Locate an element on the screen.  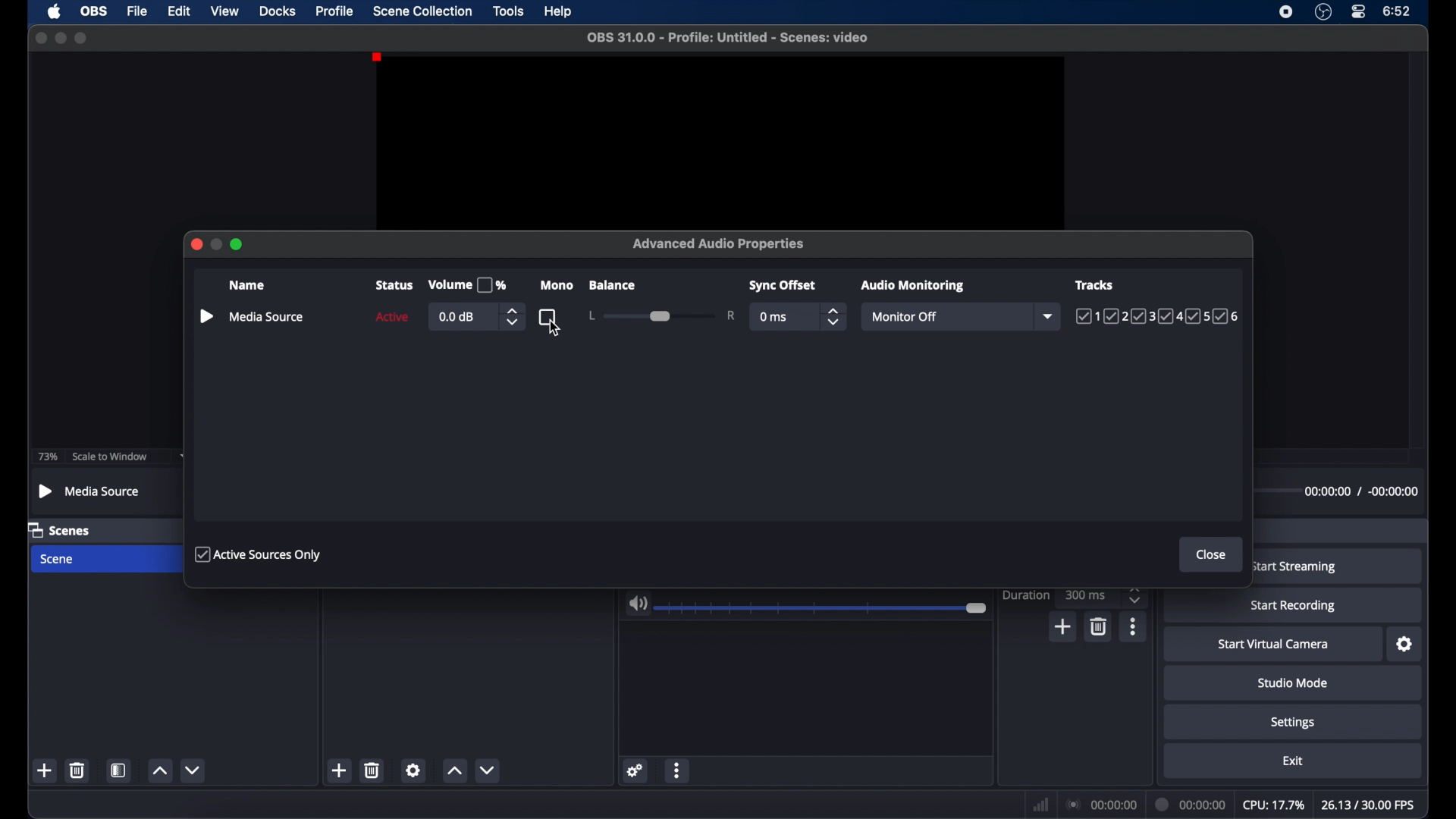
close is located at coordinates (195, 244).